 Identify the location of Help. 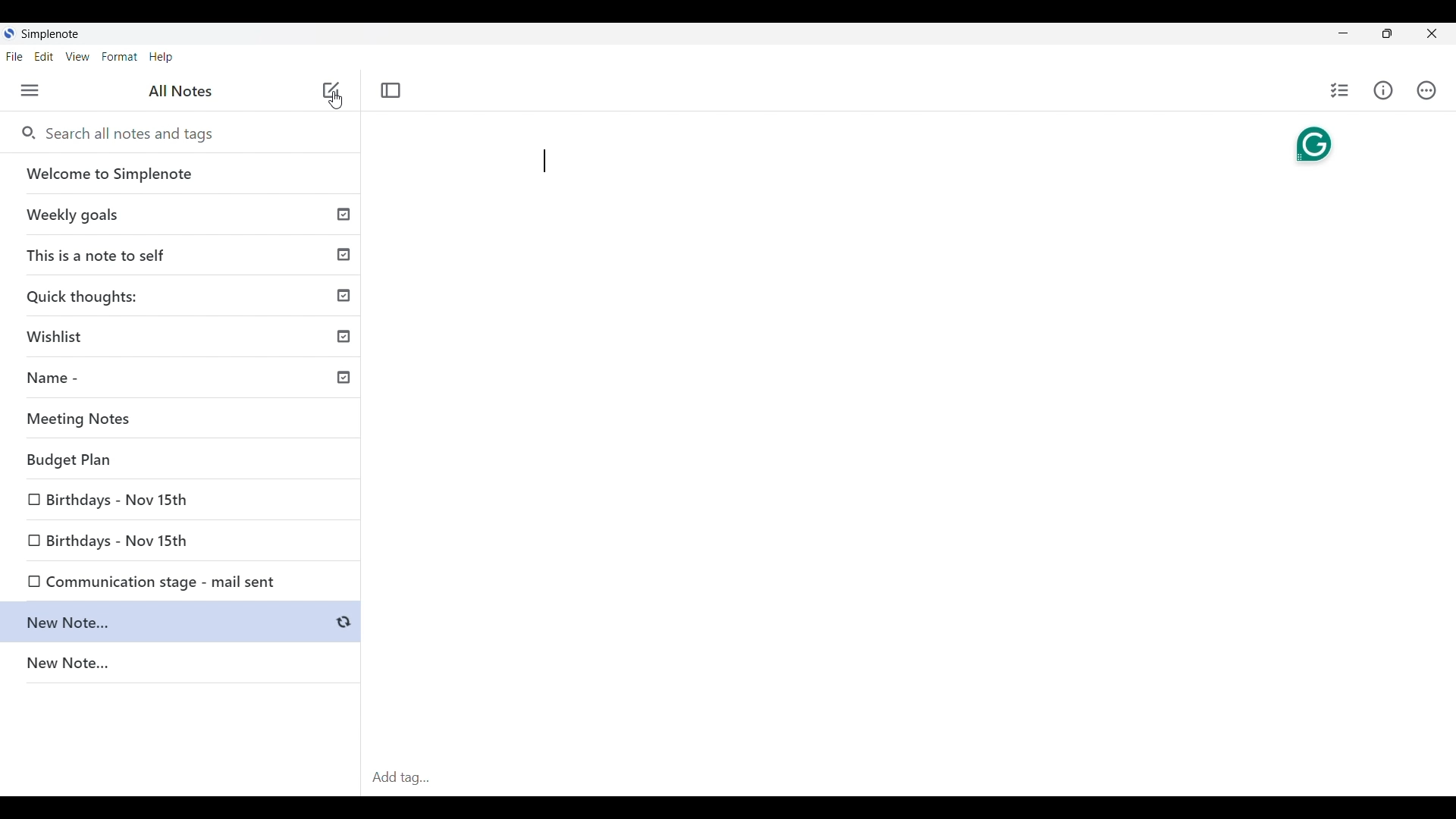
(161, 58).